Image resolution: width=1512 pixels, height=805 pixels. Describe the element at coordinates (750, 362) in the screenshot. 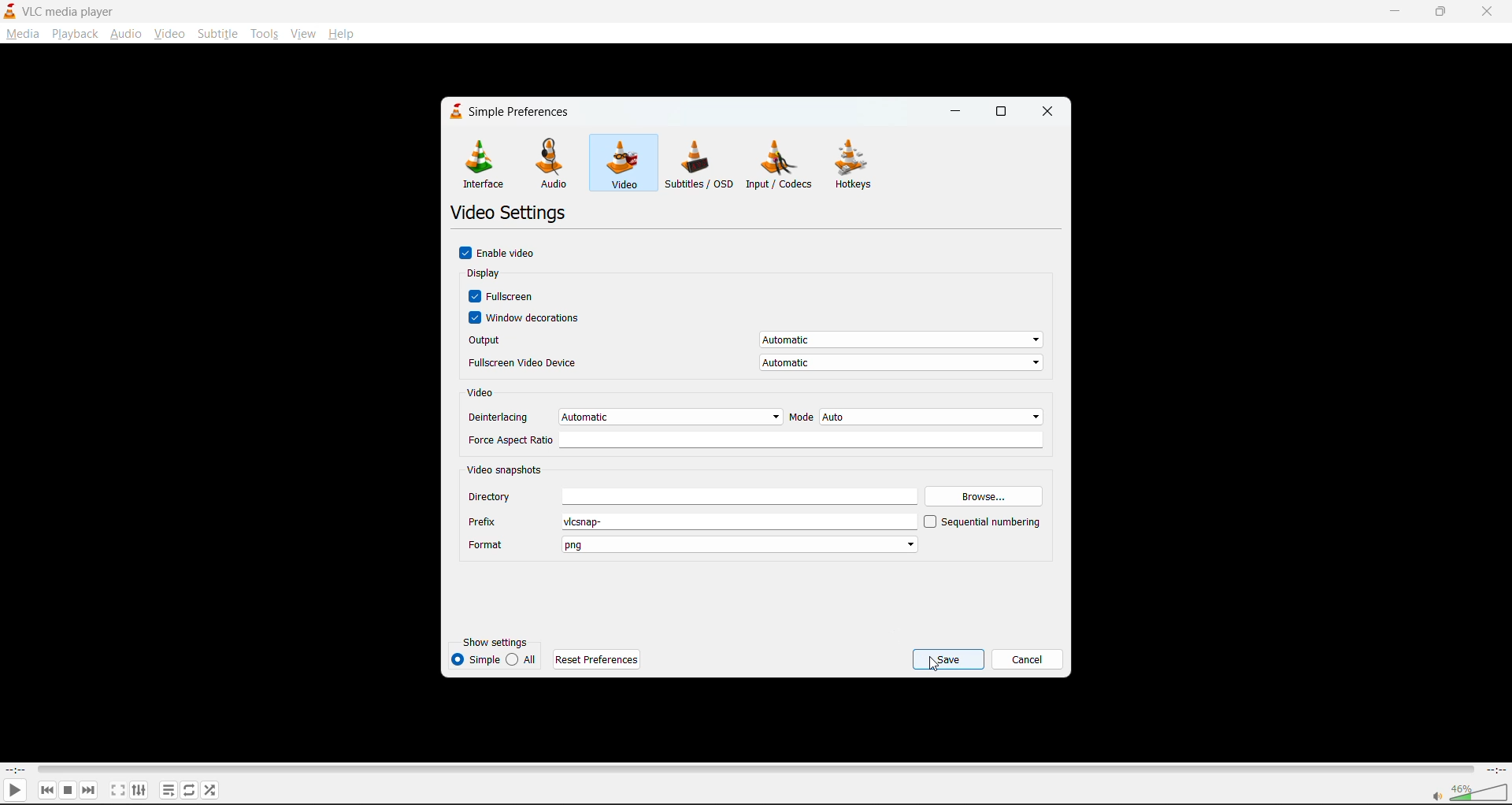

I see `fullscreen video device` at that location.